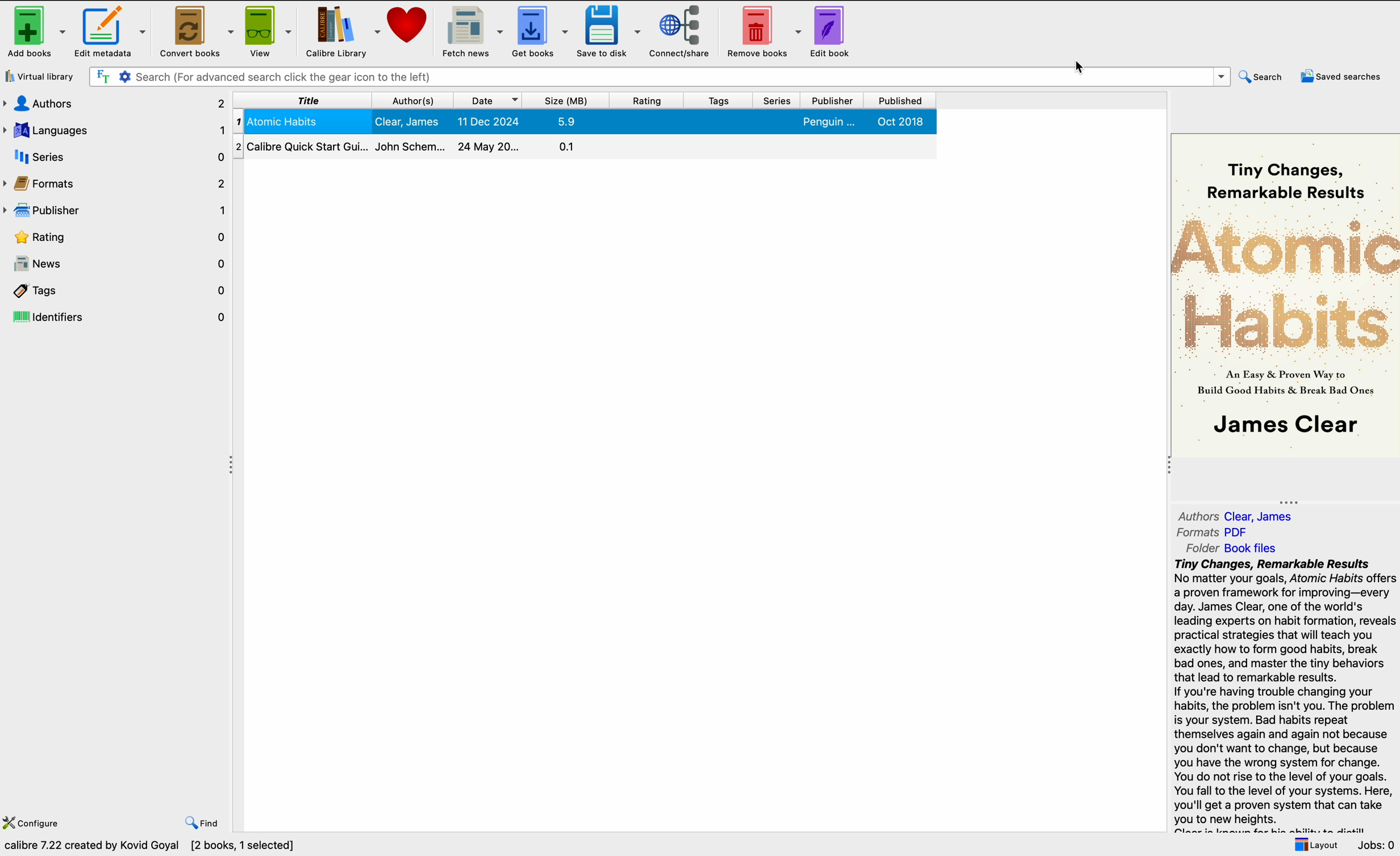  What do you see at coordinates (193, 30) in the screenshot?
I see `convert books` at bounding box center [193, 30].